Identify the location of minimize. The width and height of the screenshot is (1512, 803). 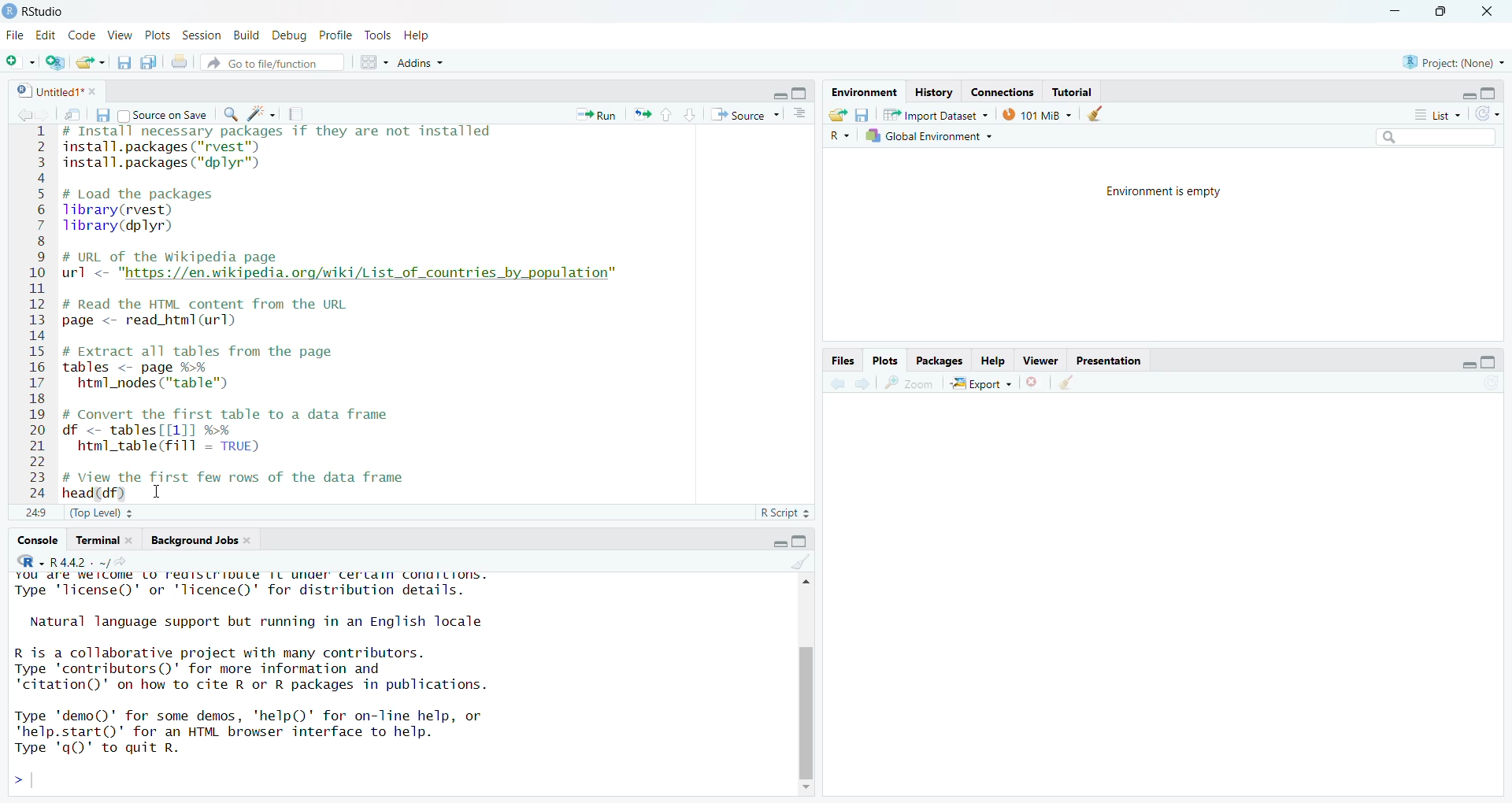
(1468, 365).